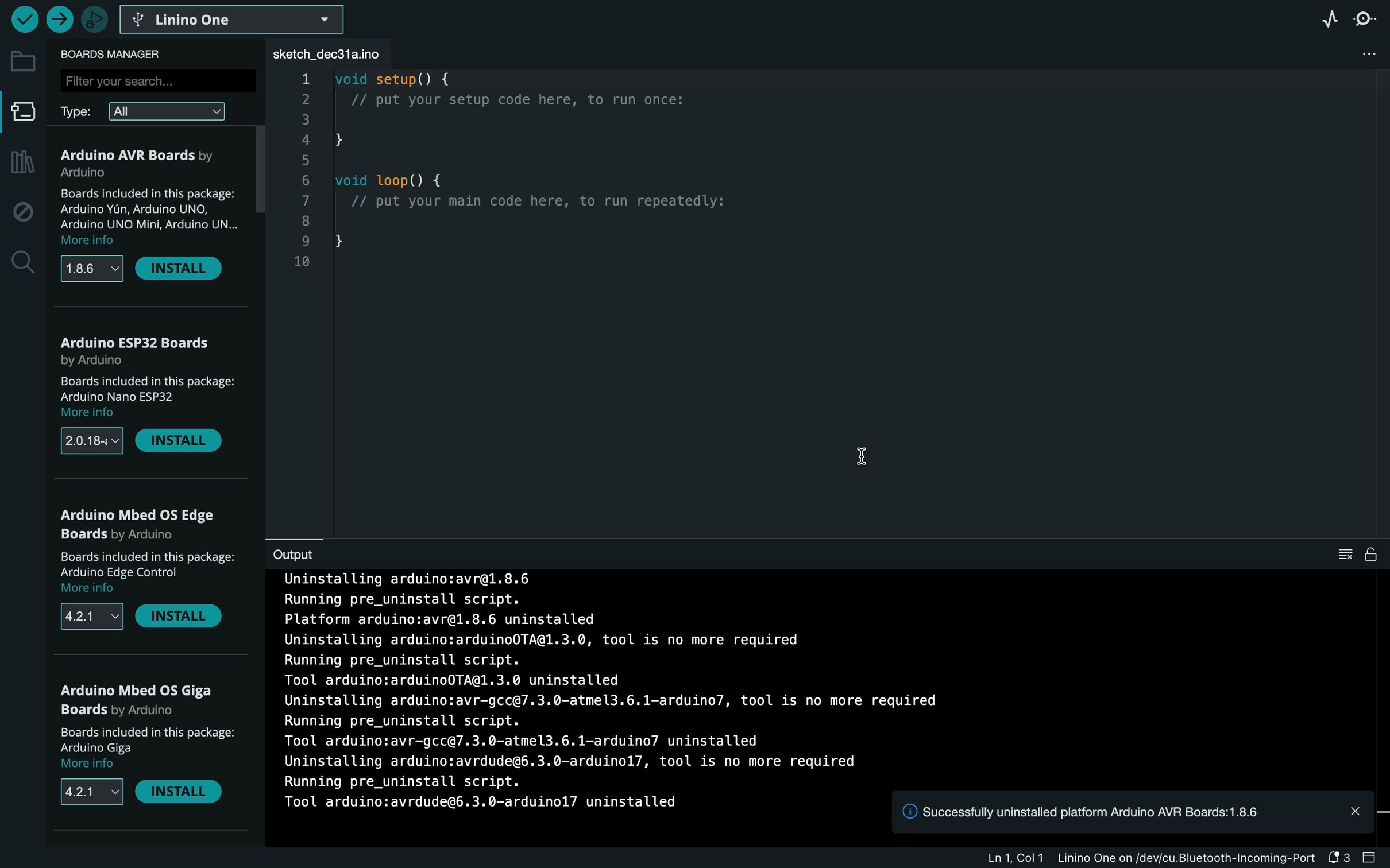 This screenshot has height=868, width=1390. I want to click on install, so click(183, 444).